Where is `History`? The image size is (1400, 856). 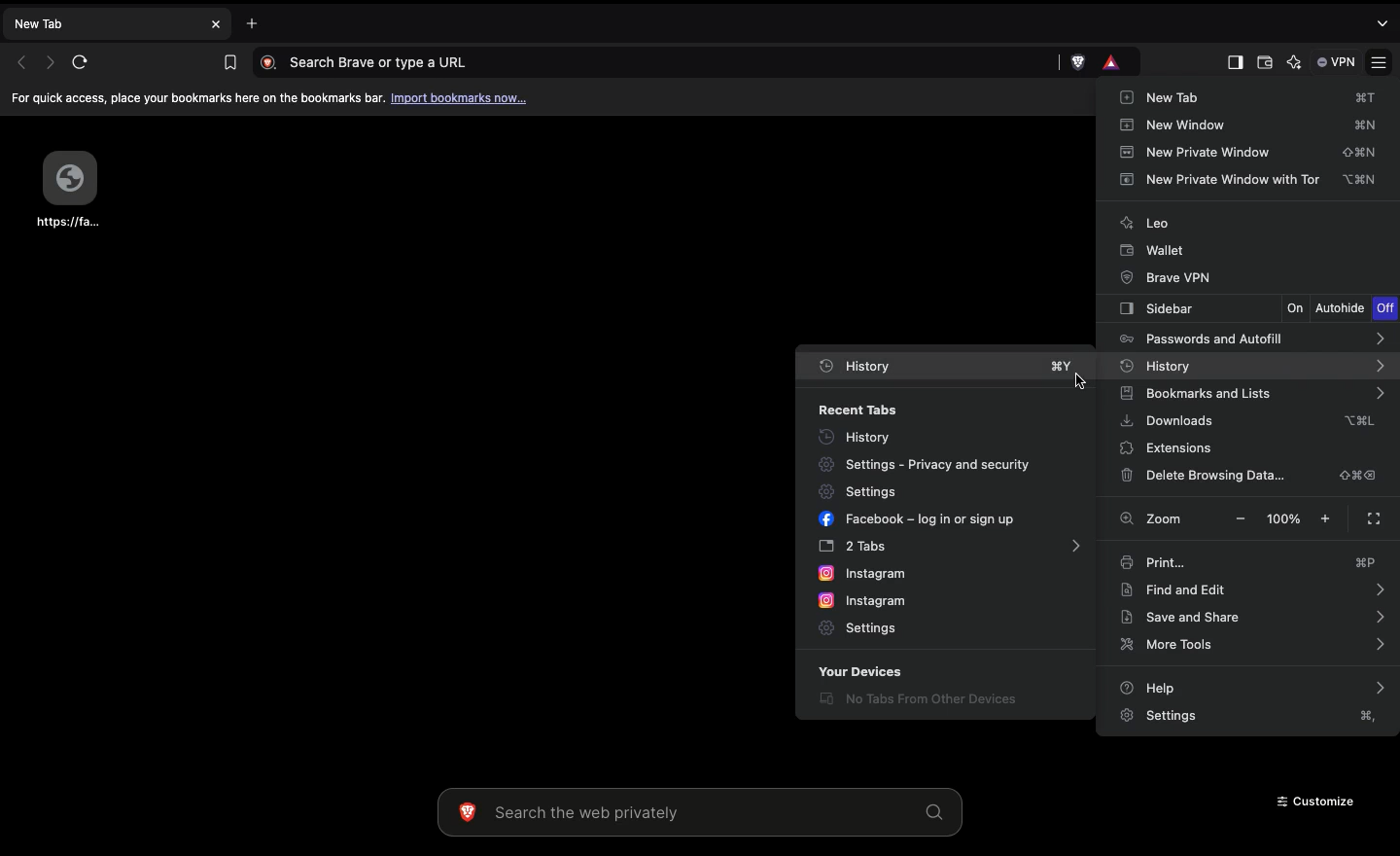 History is located at coordinates (943, 370).